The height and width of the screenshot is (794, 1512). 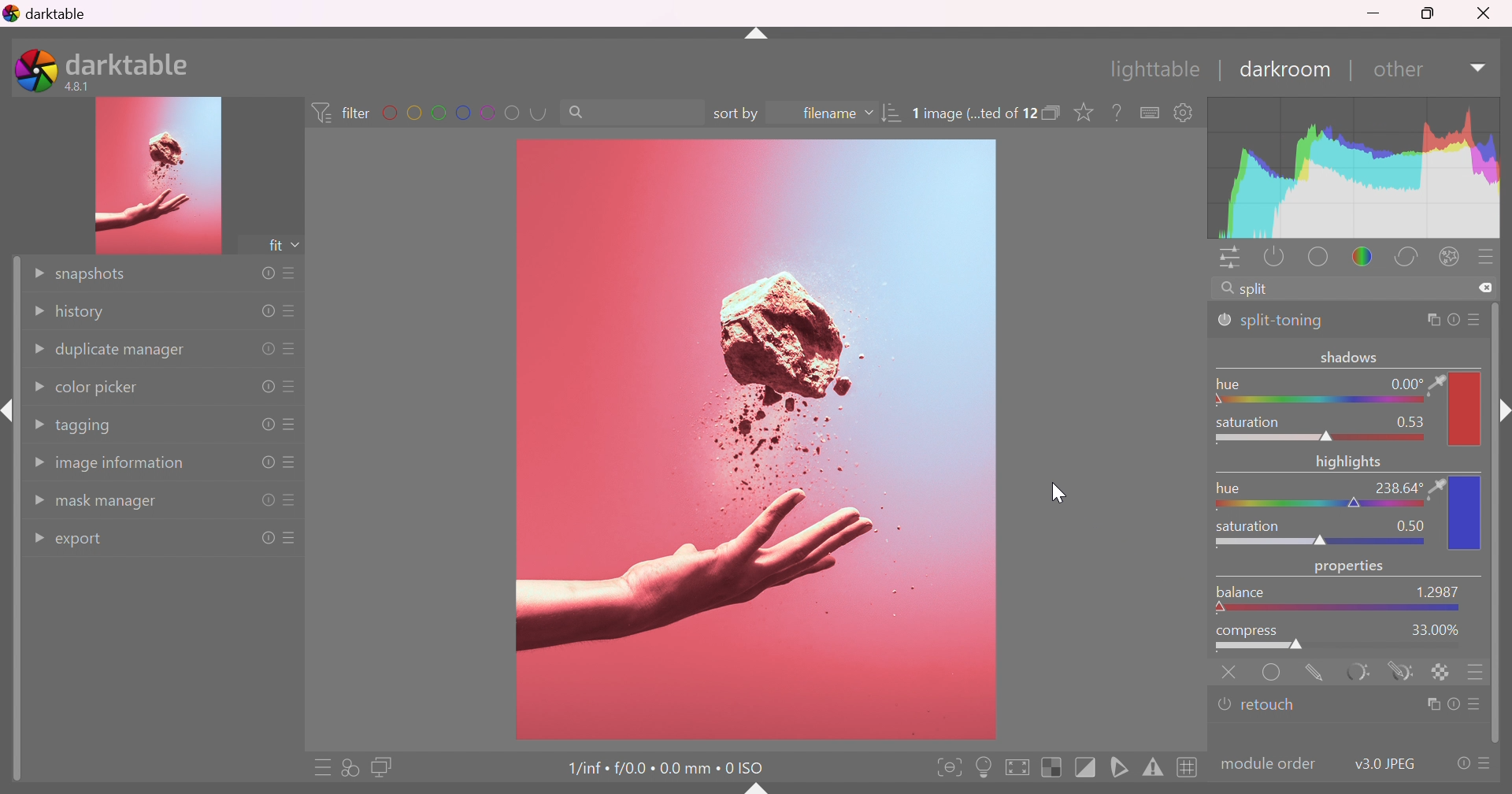 What do you see at coordinates (1397, 69) in the screenshot?
I see `down` at bounding box center [1397, 69].